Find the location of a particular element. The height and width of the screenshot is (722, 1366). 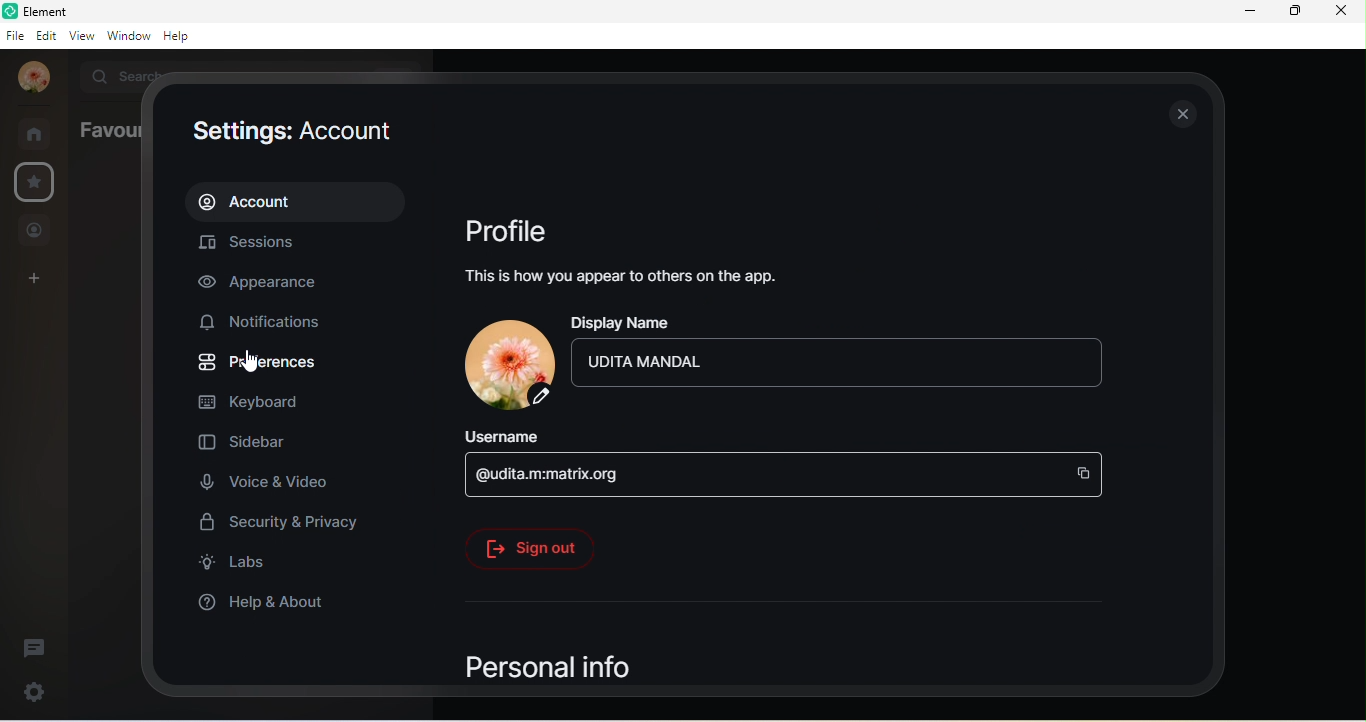

help is located at coordinates (179, 37).